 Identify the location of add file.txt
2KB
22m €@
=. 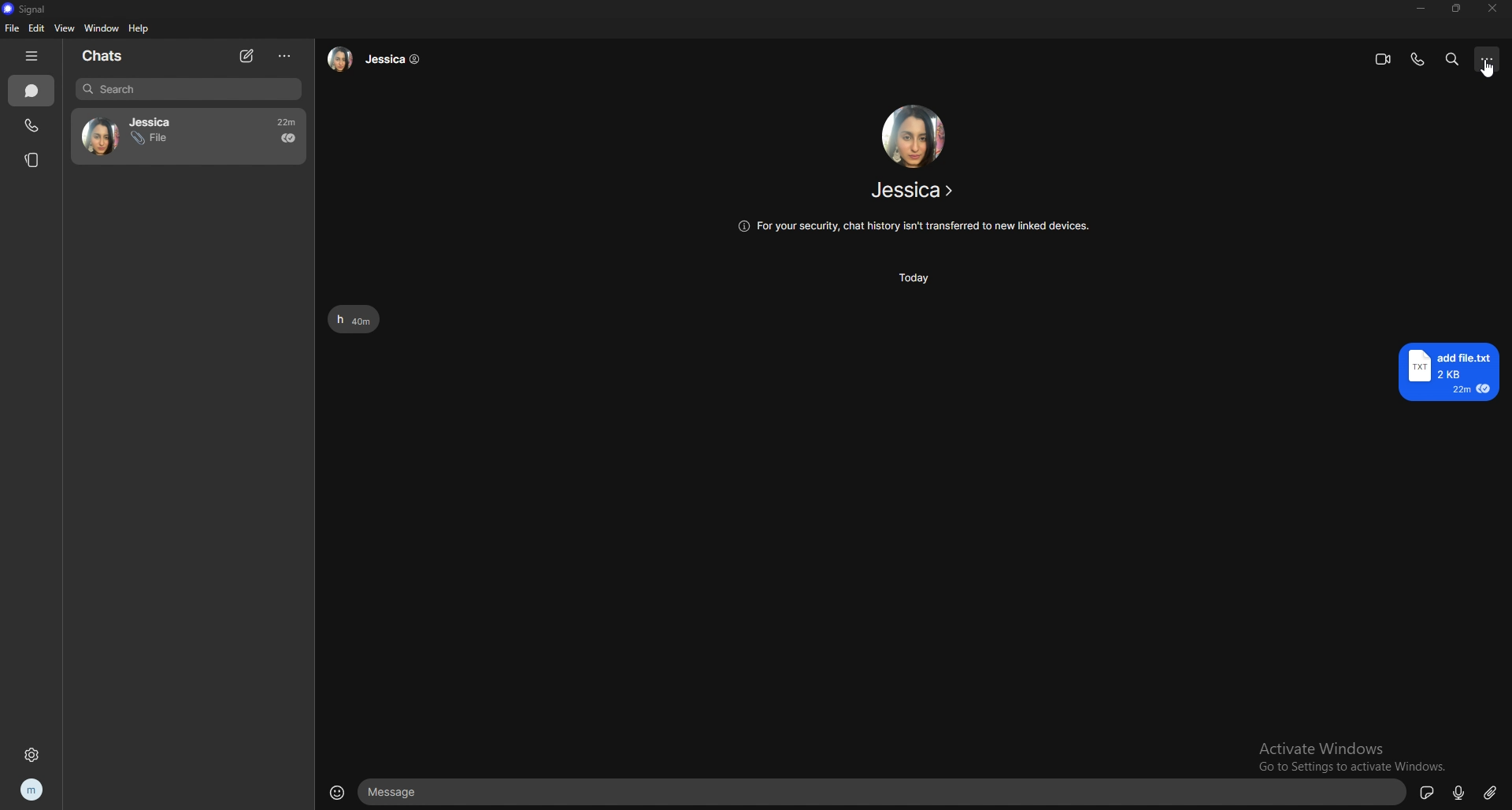
(1453, 373).